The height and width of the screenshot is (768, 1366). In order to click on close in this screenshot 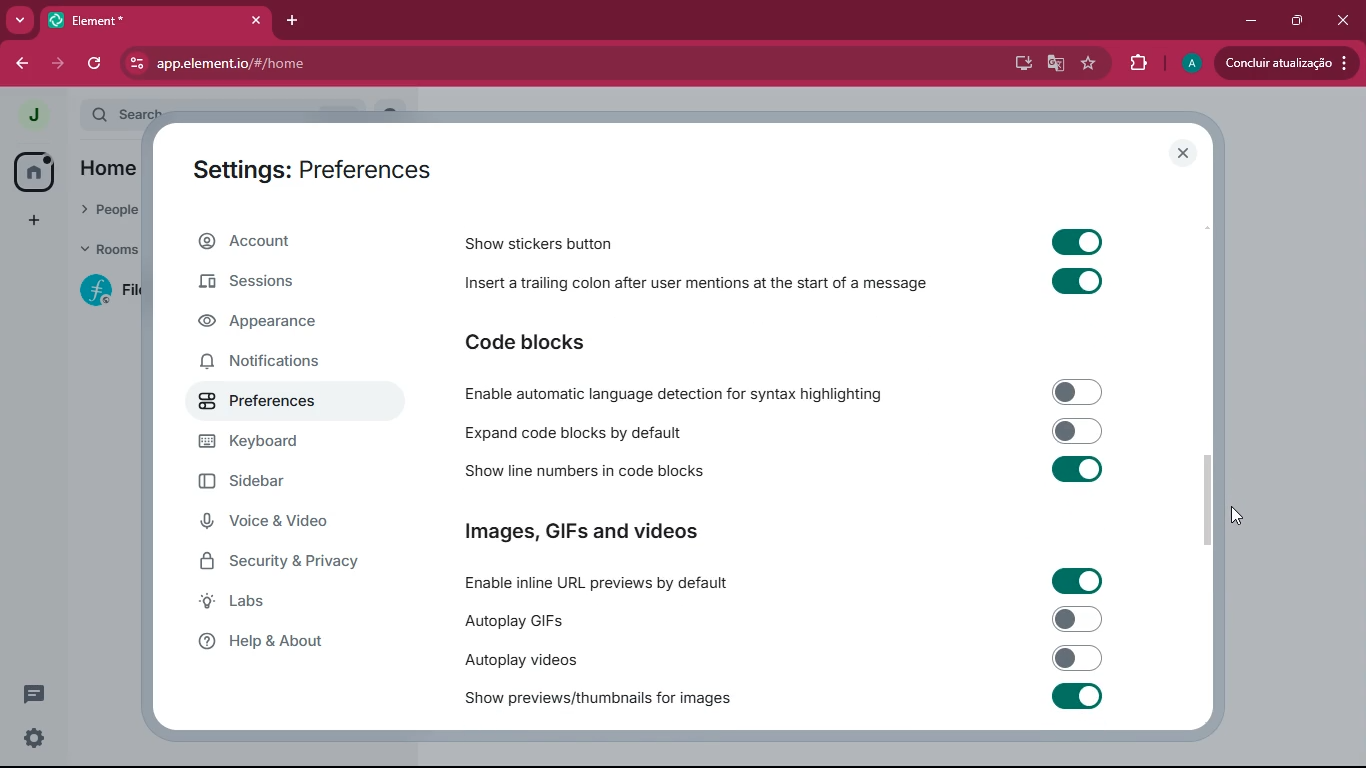, I will do `click(1184, 153)`.